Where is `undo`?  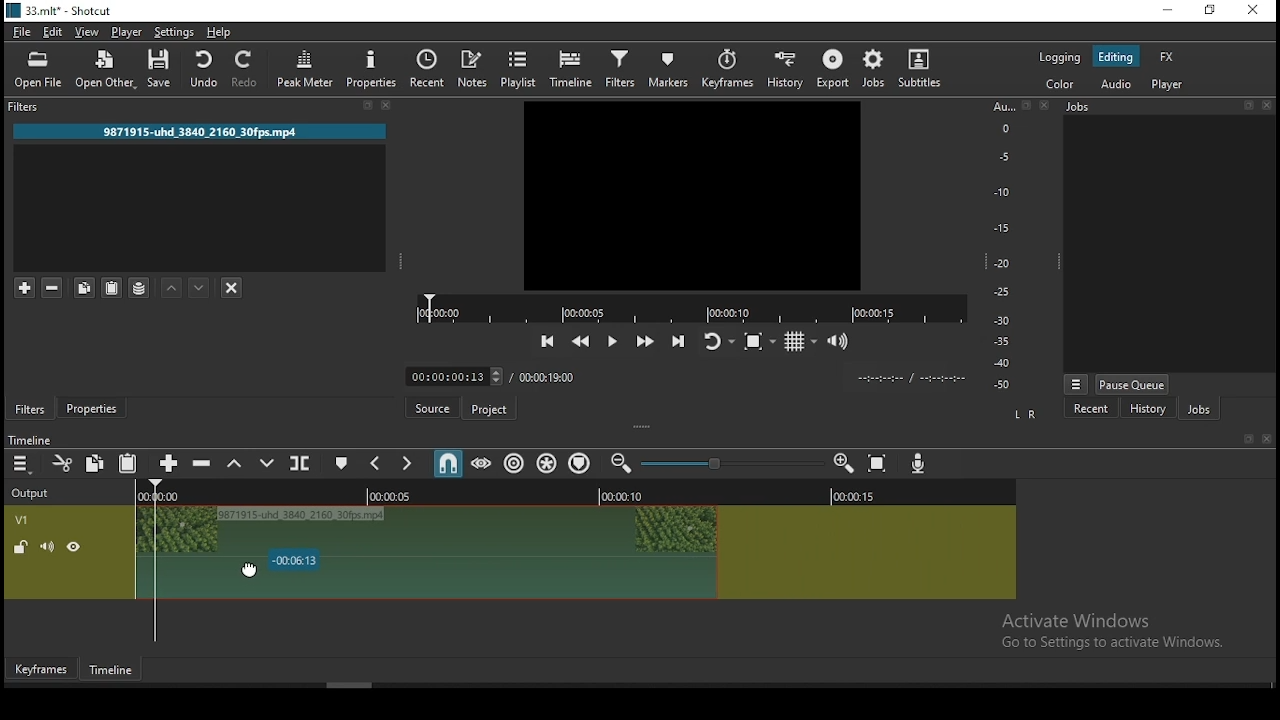 undo is located at coordinates (204, 70).